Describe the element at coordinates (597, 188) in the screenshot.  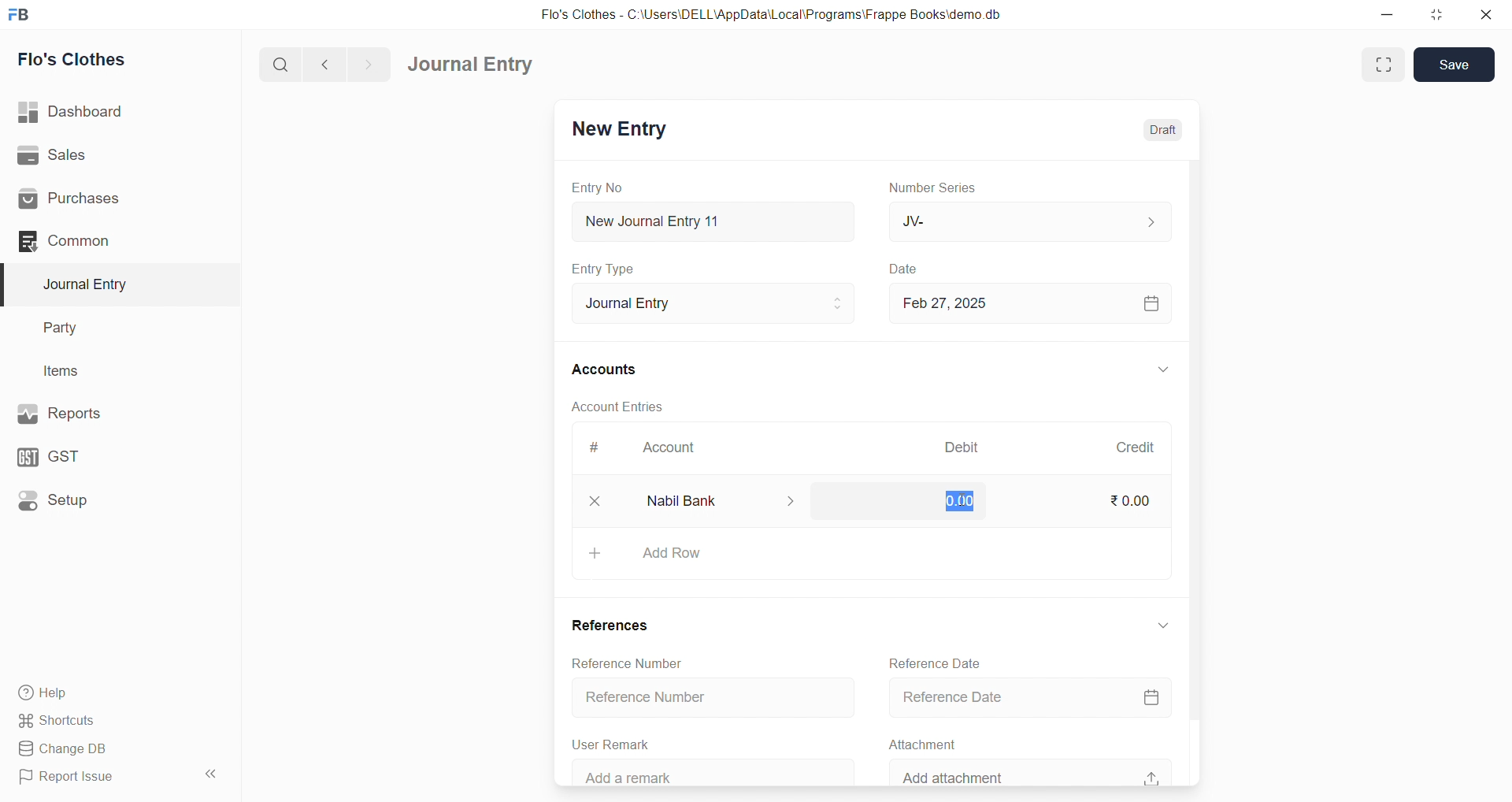
I see `Entry No` at that location.